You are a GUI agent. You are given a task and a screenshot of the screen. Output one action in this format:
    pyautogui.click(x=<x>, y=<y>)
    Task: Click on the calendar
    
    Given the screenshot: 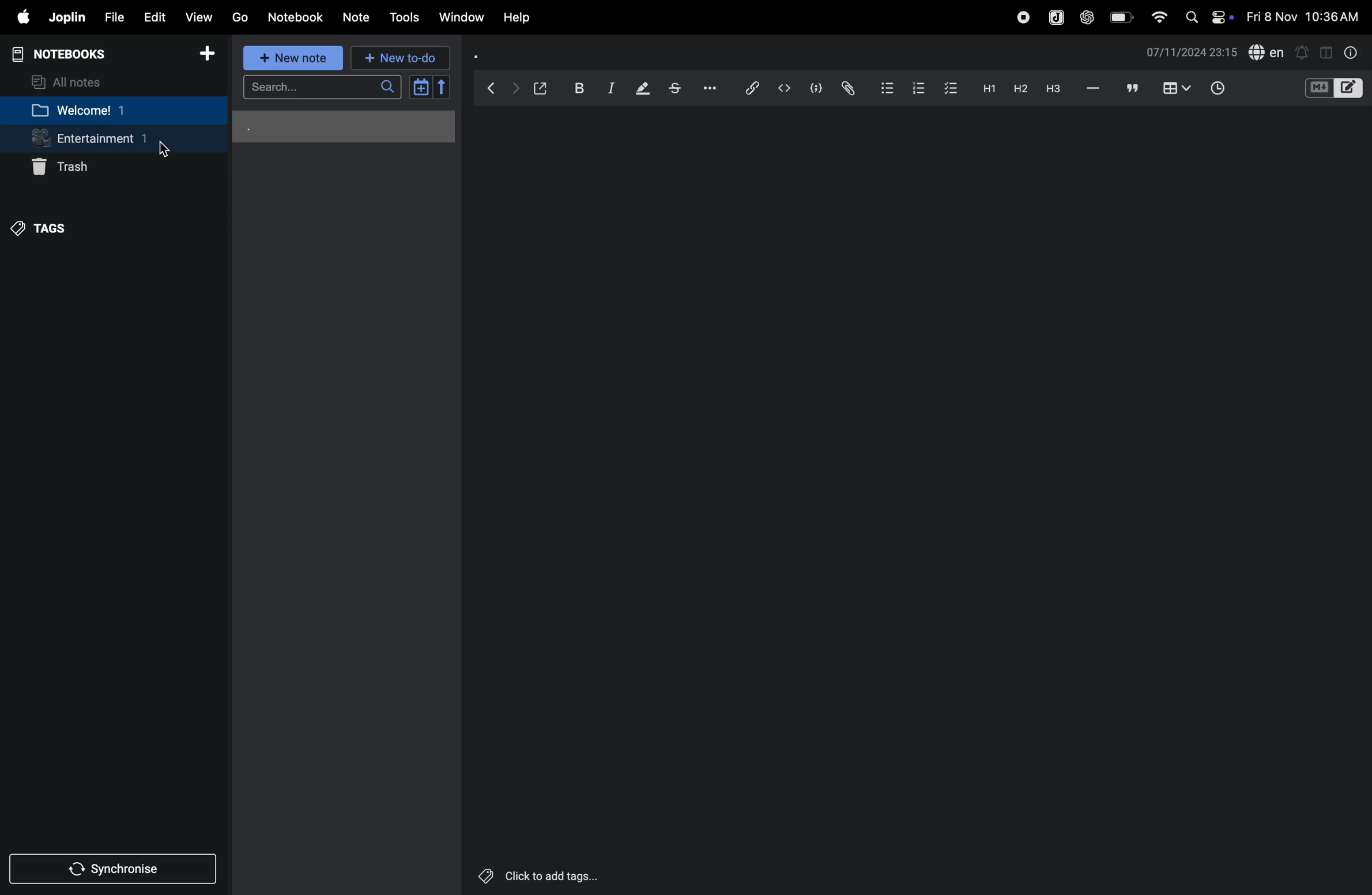 What is the action you would take?
    pyautogui.click(x=427, y=87)
    